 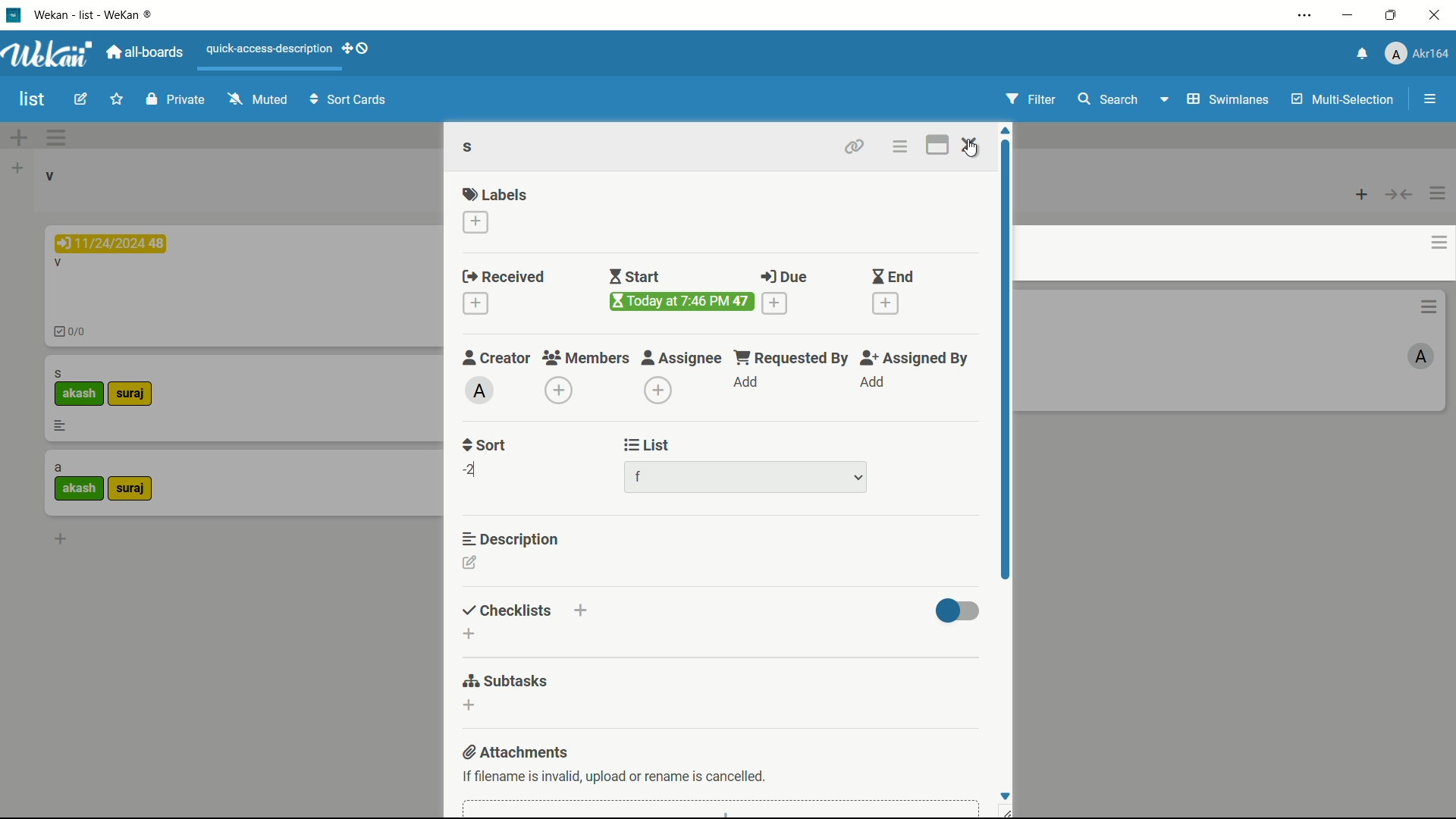 I want to click on show desktop drag handles, so click(x=358, y=48).